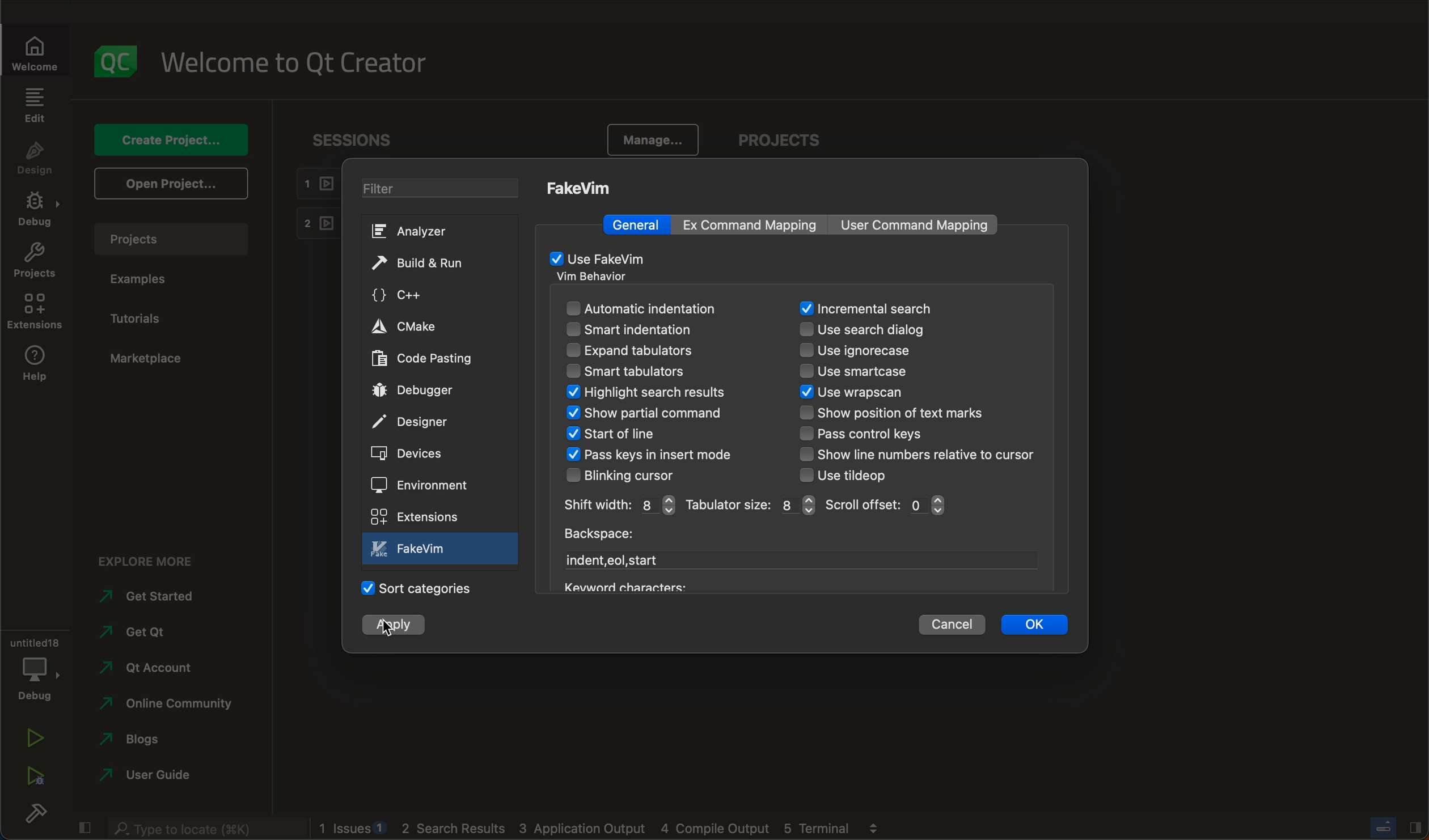 The width and height of the screenshot is (1429, 840). I want to click on project, so click(169, 238).